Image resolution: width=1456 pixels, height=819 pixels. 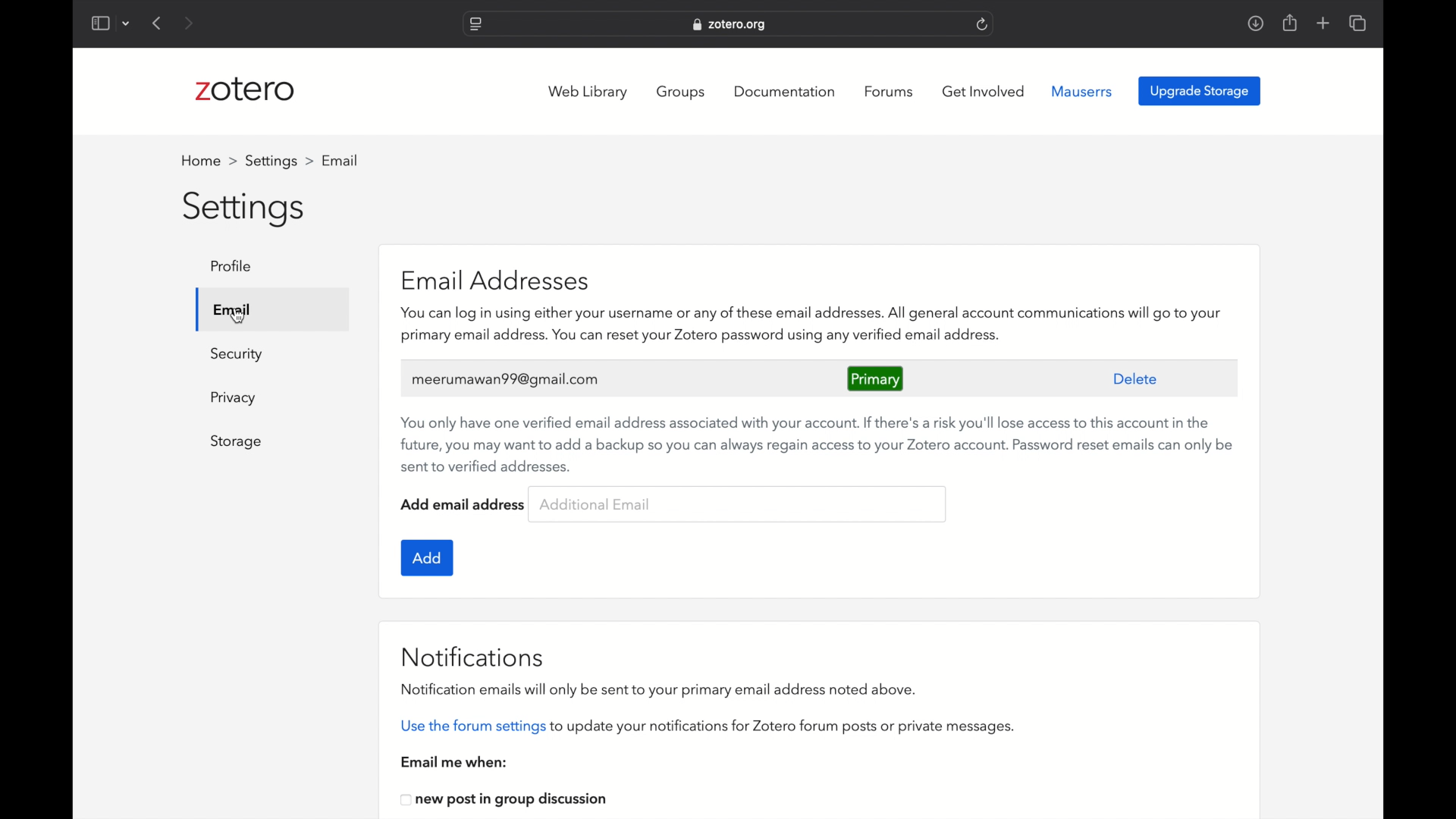 I want to click on next, so click(x=188, y=23).